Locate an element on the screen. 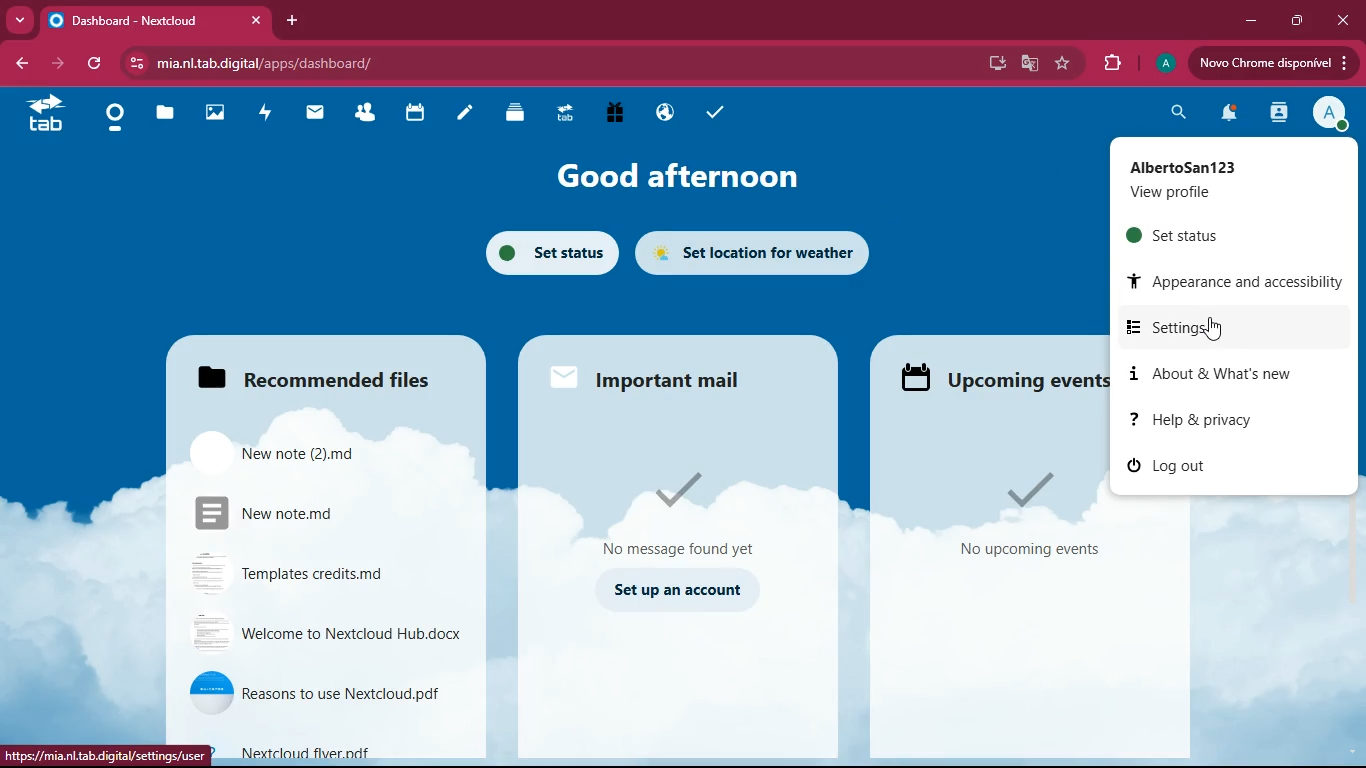 Image resolution: width=1366 pixels, height=768 pixels. profile is located at coordinates (1331, 114).